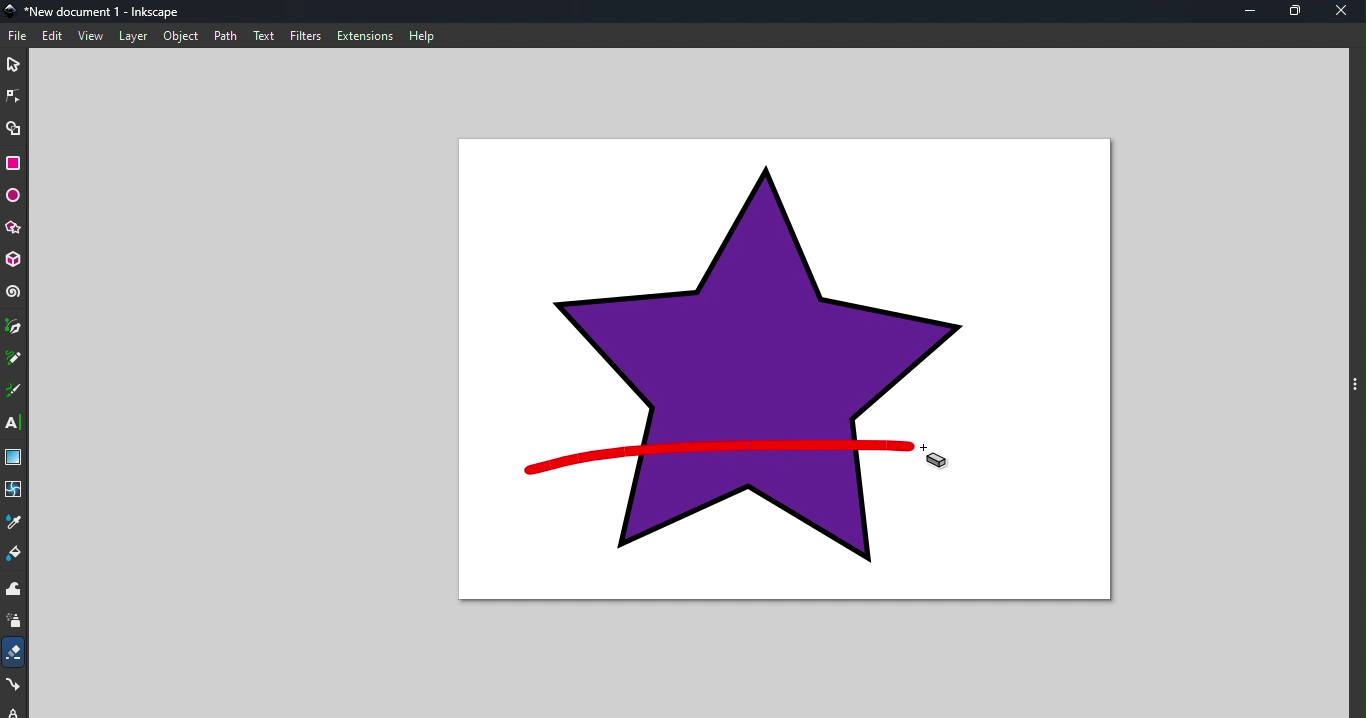 This screenshot has height=718, width=1366. What do you see at coordinates (14, 422) in the screenshot?
I see `text tool` at bounding box center [14, 422].